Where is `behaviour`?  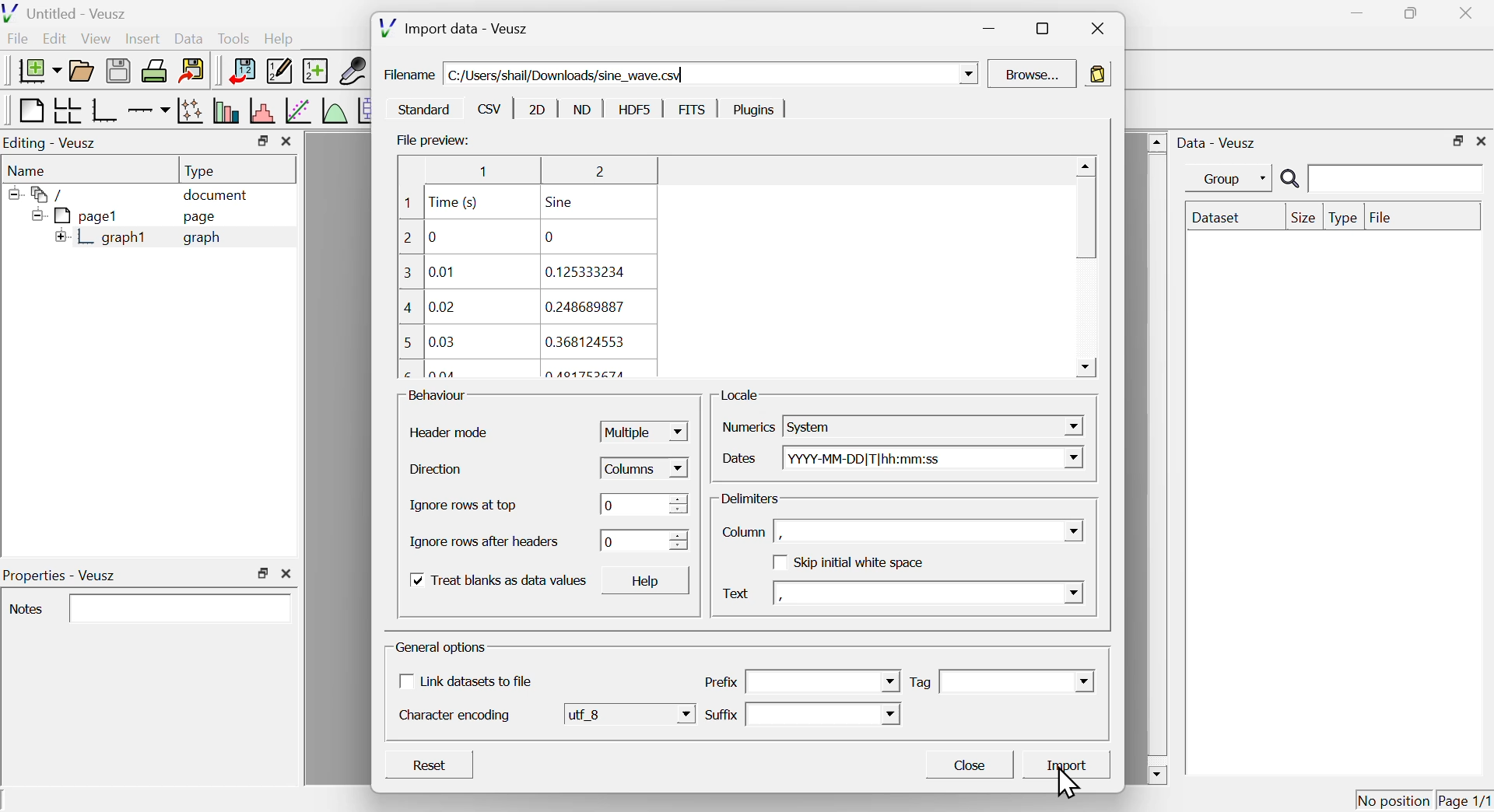 behaviour is located at coordinates (437, 396).